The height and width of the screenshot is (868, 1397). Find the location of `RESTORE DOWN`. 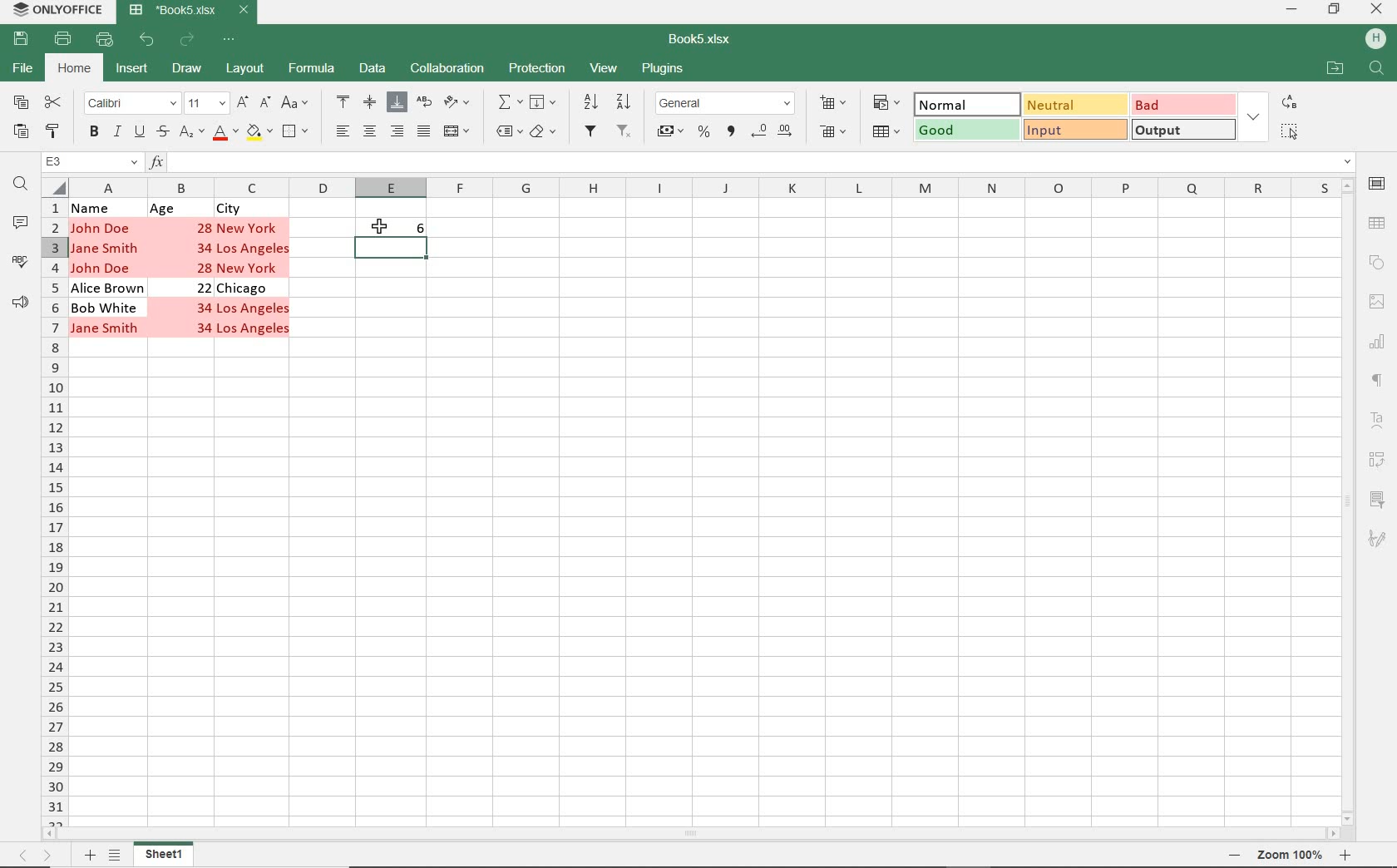

RESTORE DOWN is located at coordinates (1336, 10).